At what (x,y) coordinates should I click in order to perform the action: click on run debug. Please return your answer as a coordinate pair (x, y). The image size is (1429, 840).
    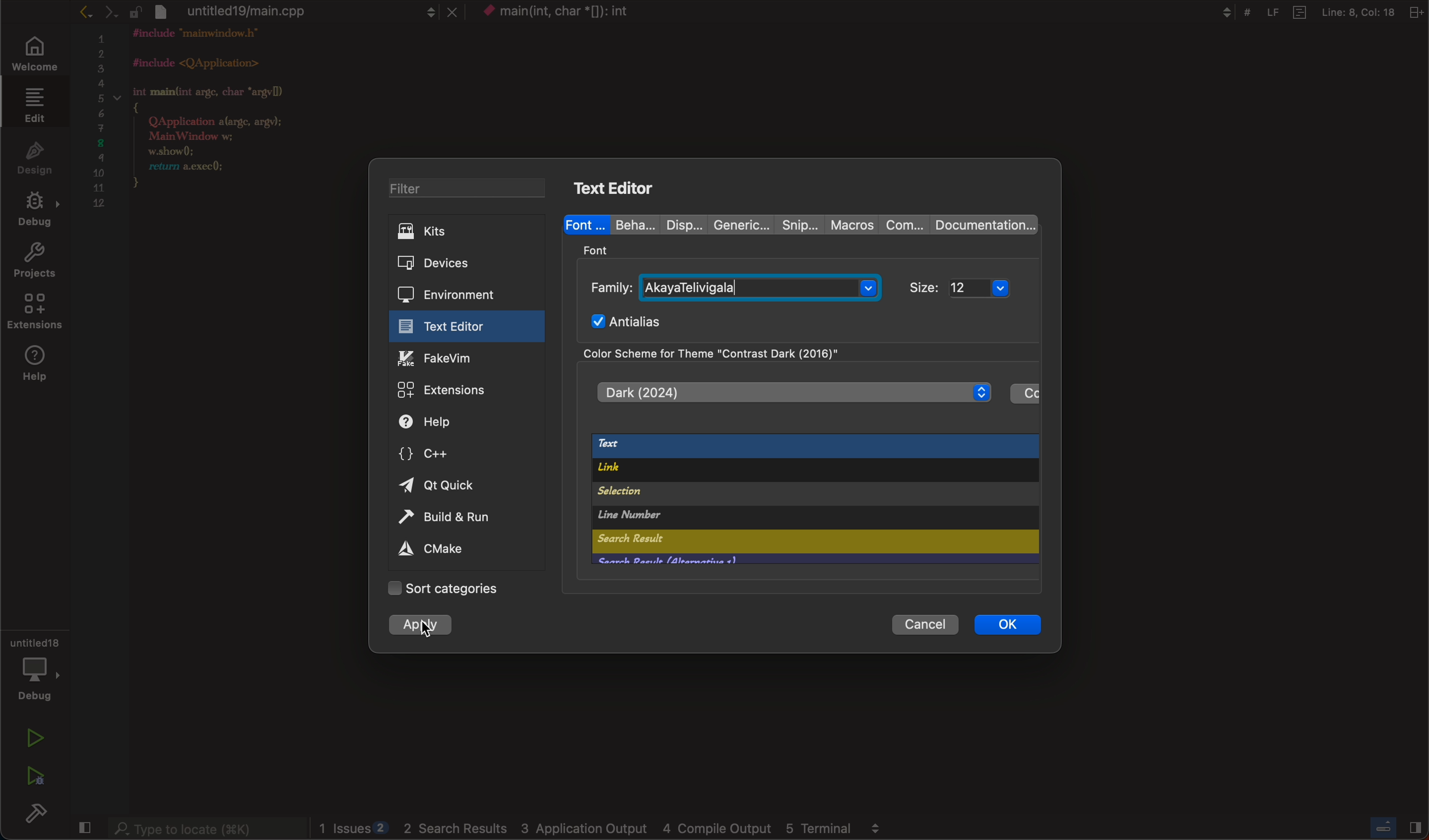
    Looking at the image, I should click on (35, 773).